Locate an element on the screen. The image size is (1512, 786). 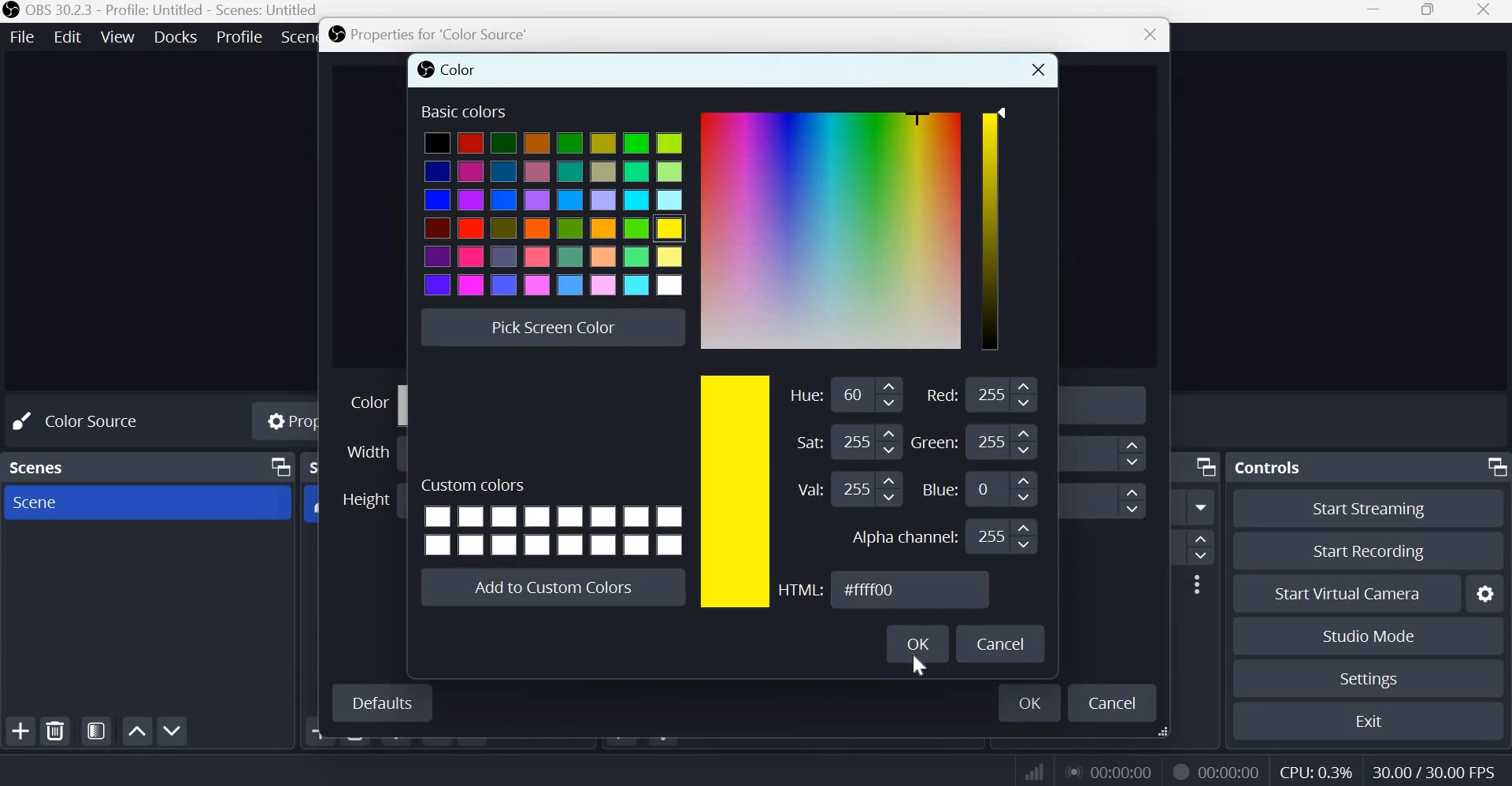
close is located at coordinates (1147, 33).